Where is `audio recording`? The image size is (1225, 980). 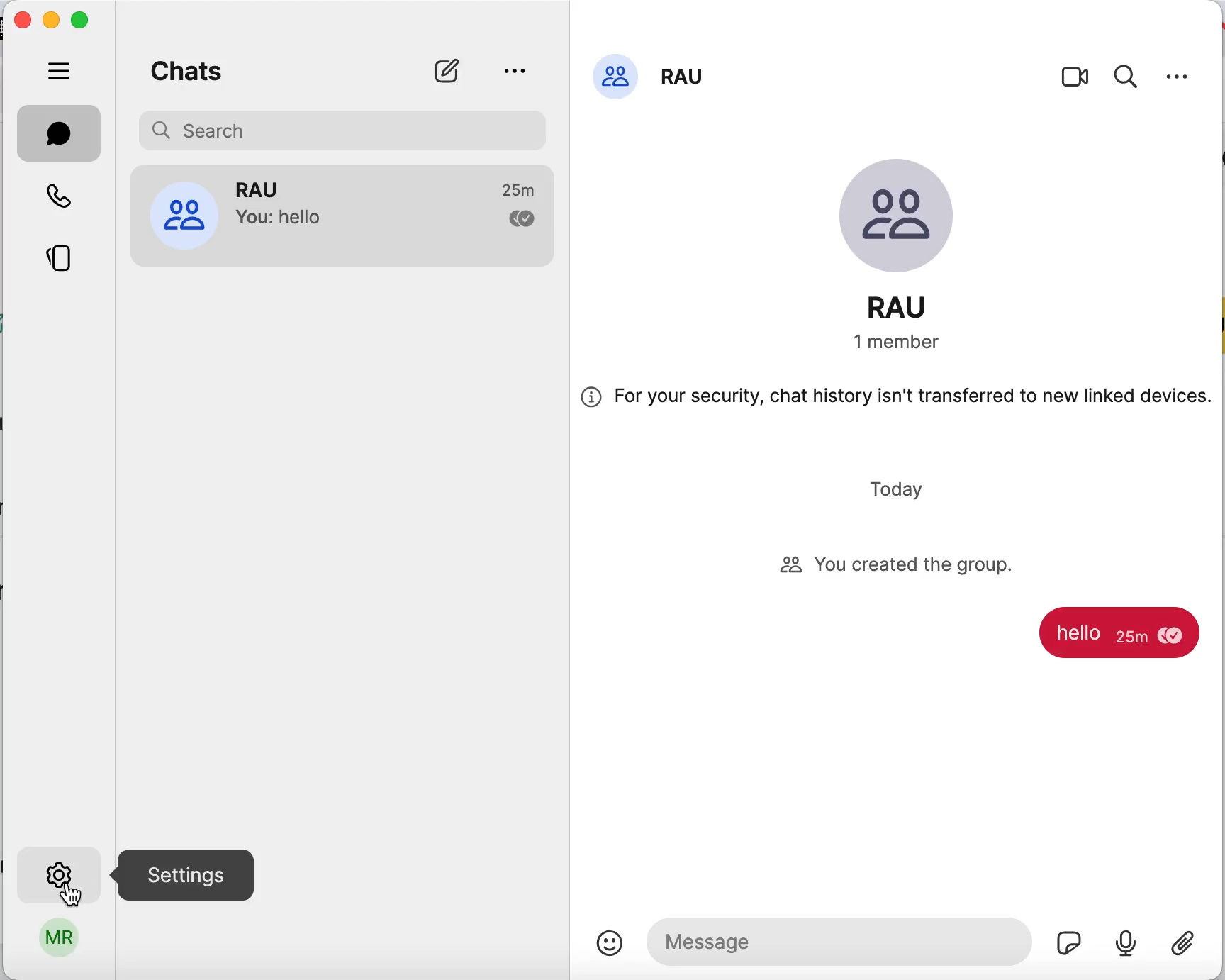 audio recording is located at coordinates (1128, 933).